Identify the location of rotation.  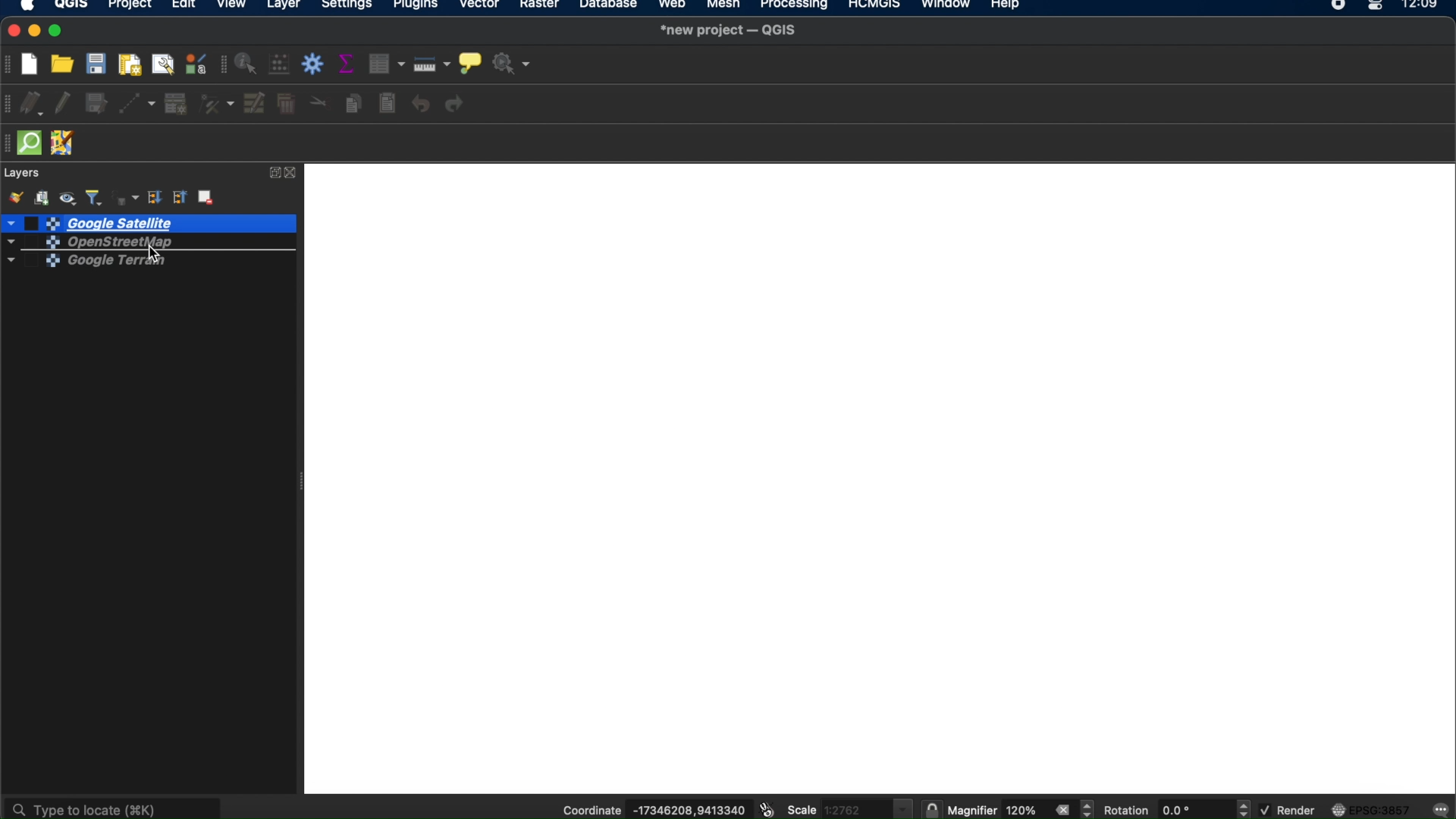
(1244, 809).